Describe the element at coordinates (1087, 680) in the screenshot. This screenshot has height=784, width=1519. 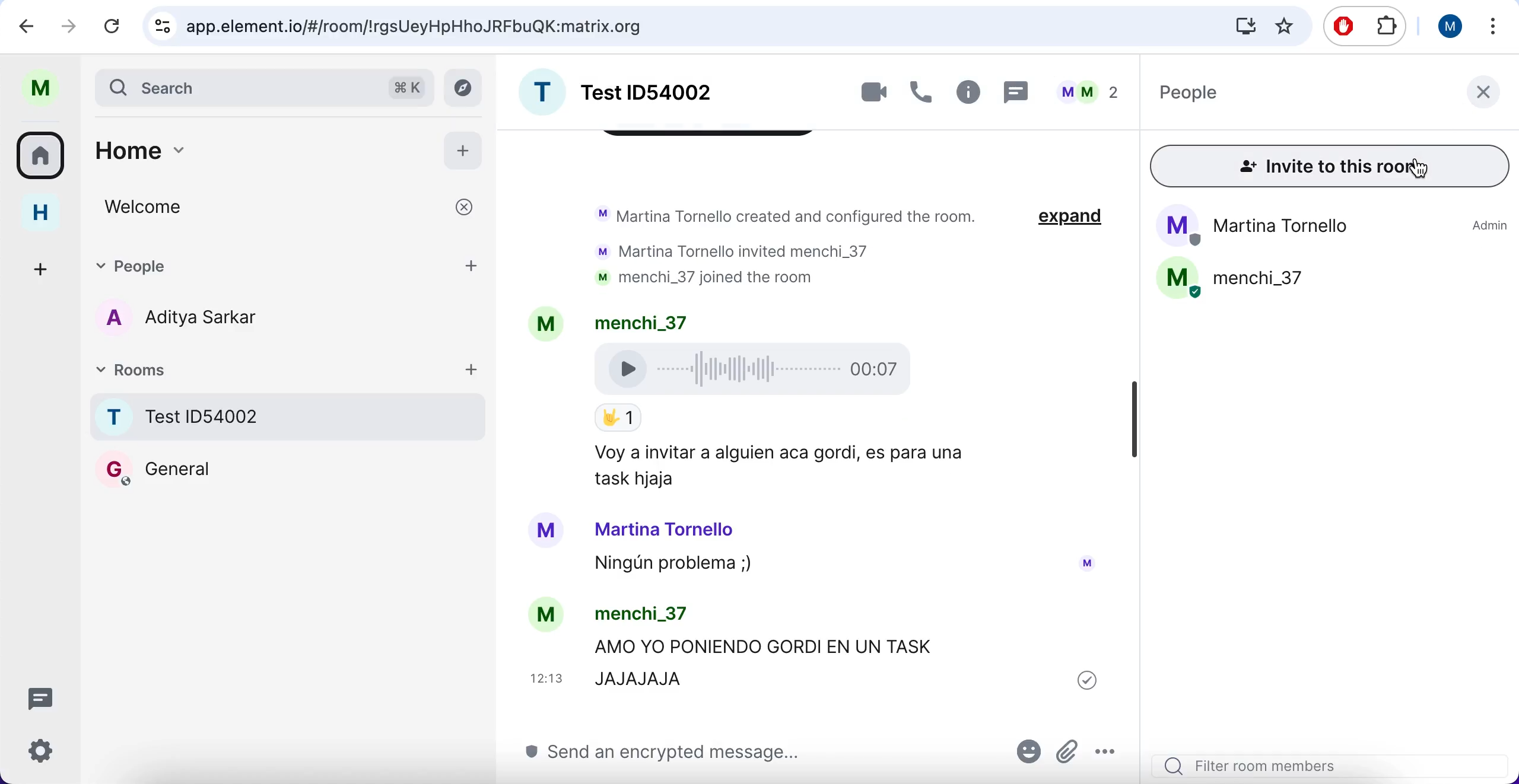
I see `sent` at that location.